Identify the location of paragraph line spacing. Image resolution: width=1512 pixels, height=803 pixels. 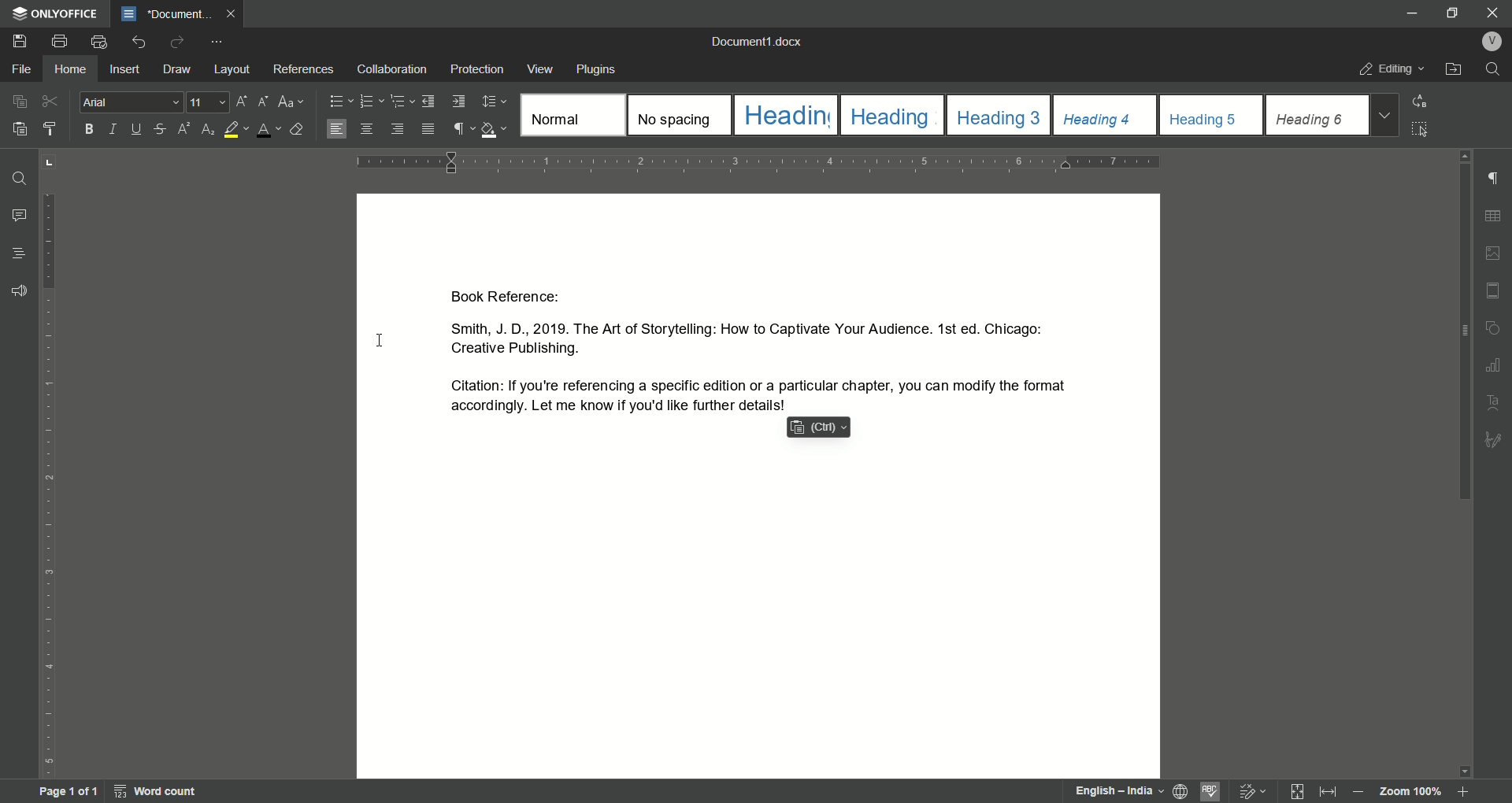
(493, 101).